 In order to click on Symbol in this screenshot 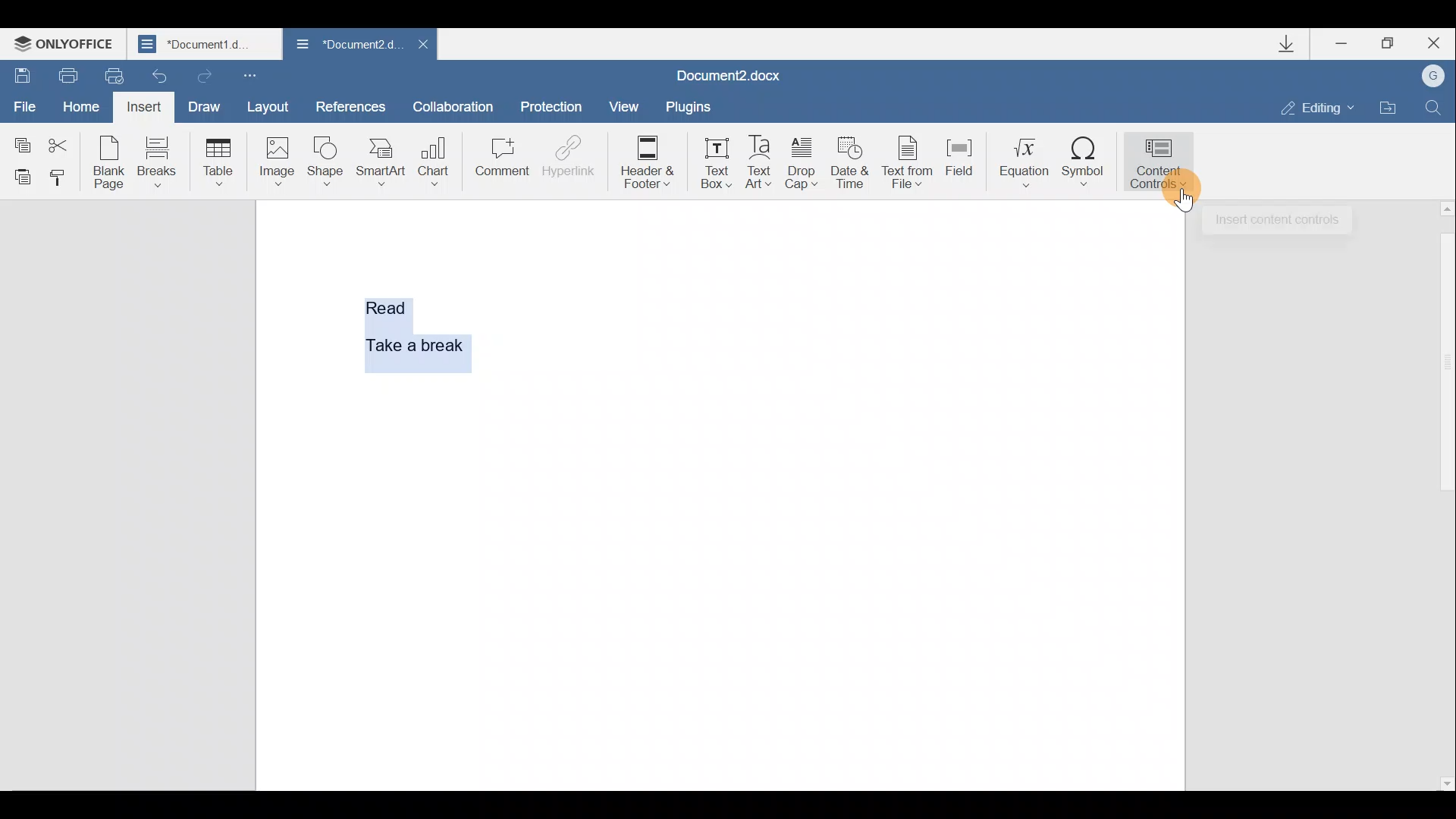, I will do `click(1087, 173)`.